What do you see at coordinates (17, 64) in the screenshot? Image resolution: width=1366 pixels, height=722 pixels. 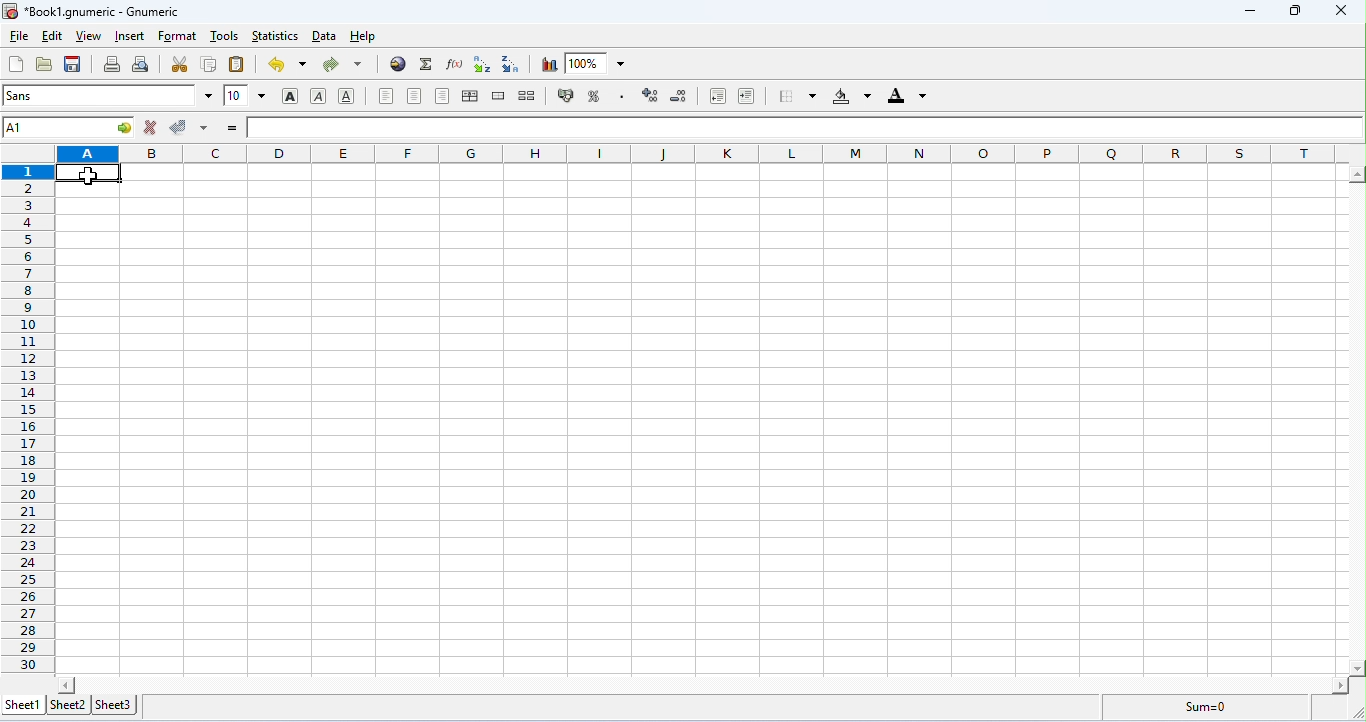 I see `new` at bounding box center [17, 64].